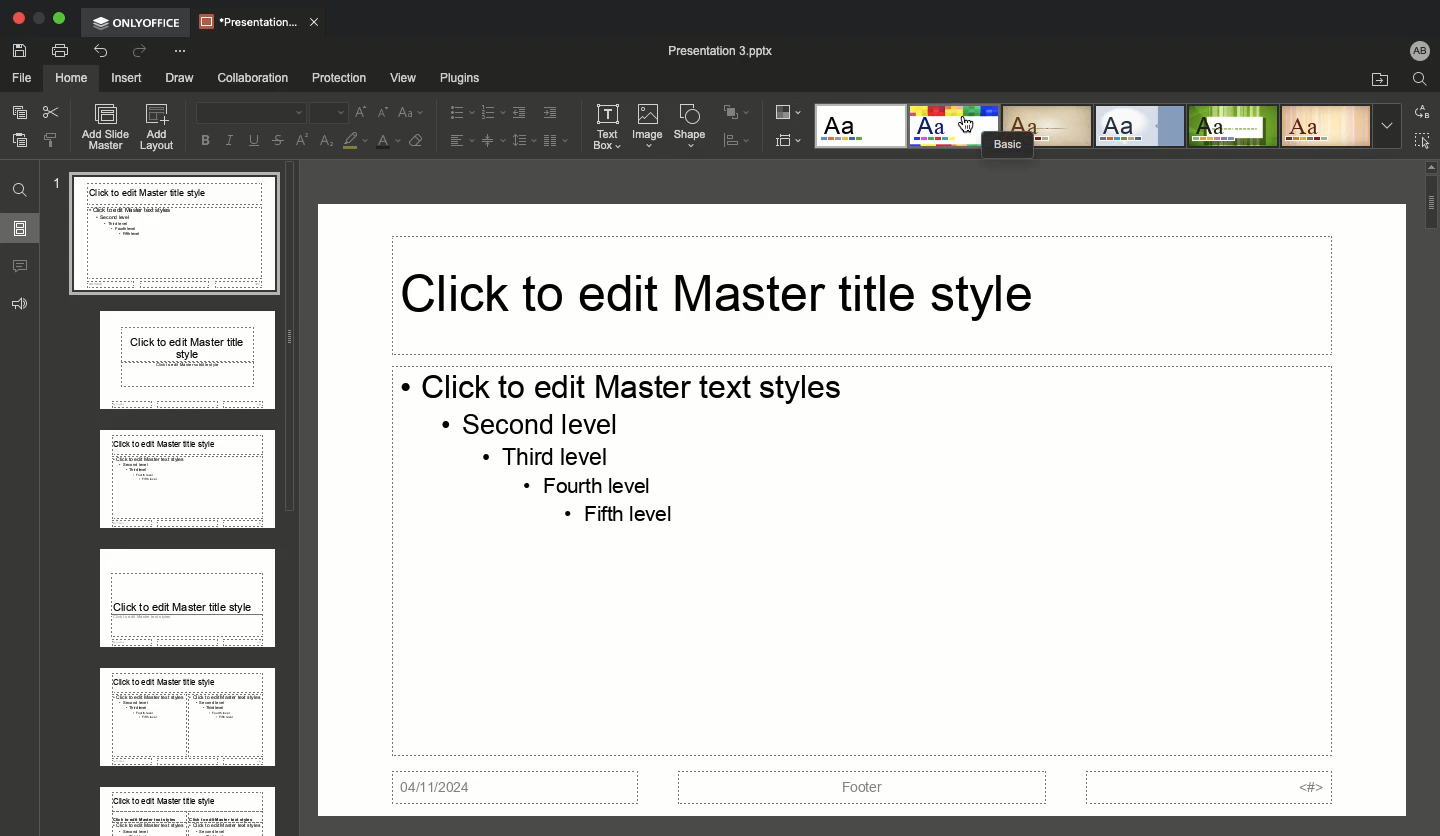 This screenshot has width=1440, height=836. What do you see at coordinates (22, 302) in the screenshot?
I see `Feedback & support` at bounding box center [22, 302].